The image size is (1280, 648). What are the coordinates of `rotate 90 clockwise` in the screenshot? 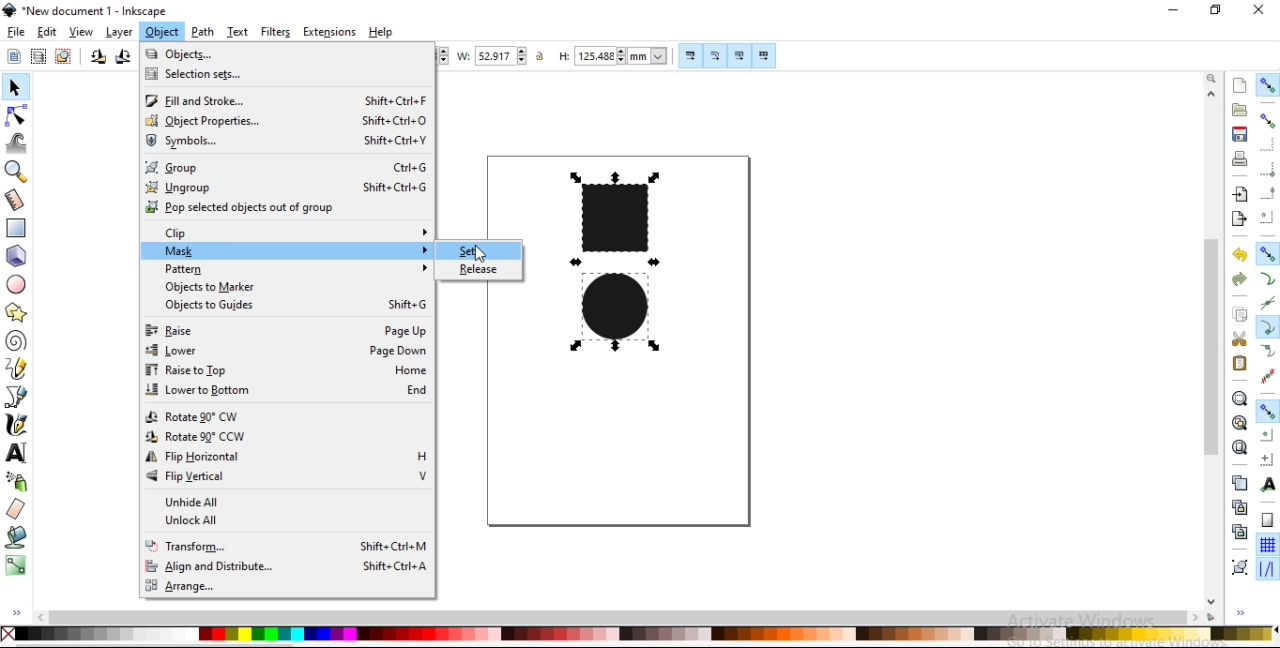 It's located at (122, 58).